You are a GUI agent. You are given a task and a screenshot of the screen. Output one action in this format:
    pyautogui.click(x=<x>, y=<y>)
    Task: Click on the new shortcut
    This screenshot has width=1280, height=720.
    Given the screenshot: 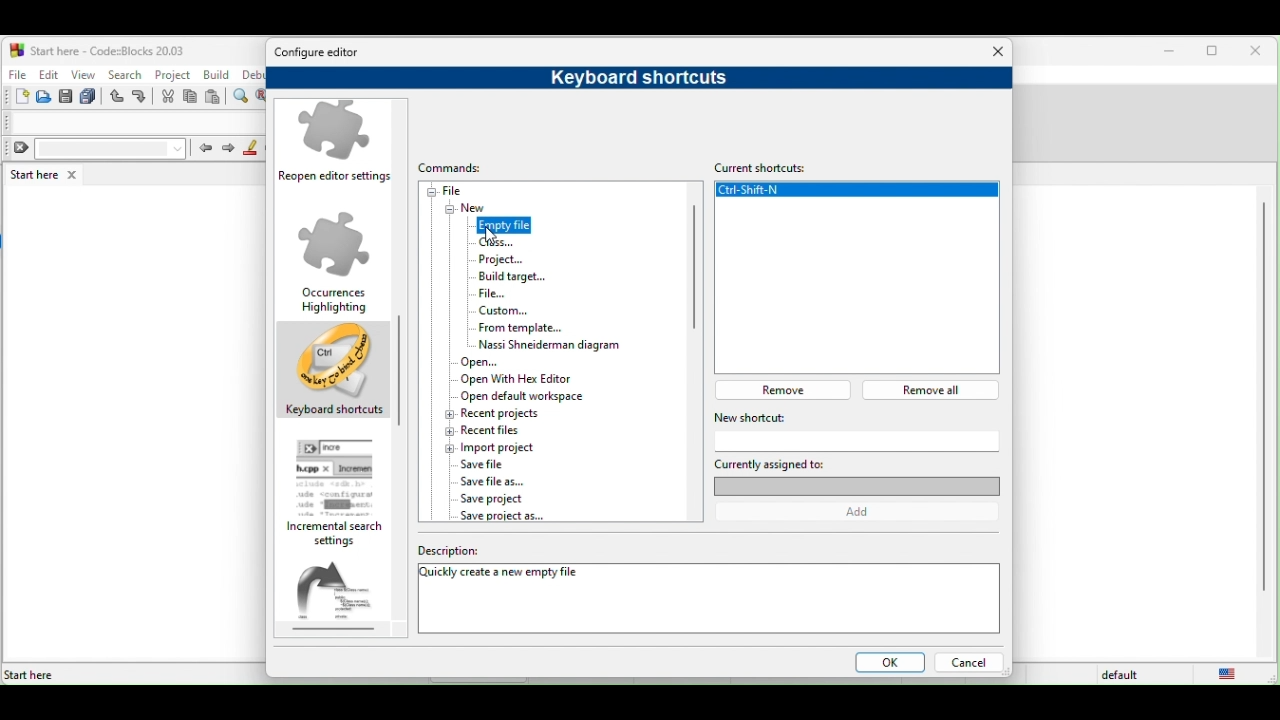 What is the action you would take?
    pyautogui.click(x=824, y=417)
    